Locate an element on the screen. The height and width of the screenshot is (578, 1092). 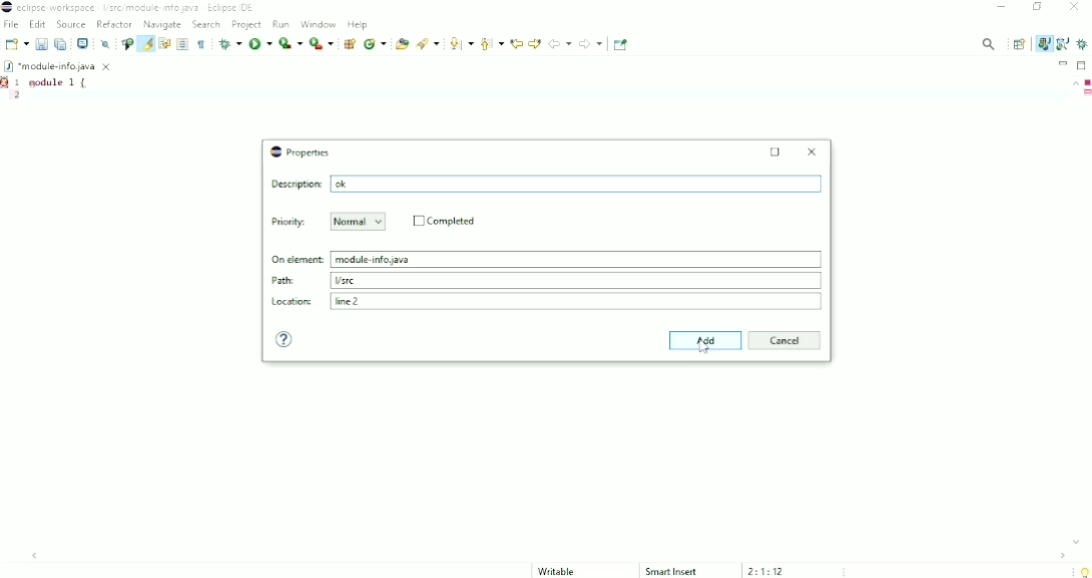
Tip of the day is located at coordinates (1083, 572).